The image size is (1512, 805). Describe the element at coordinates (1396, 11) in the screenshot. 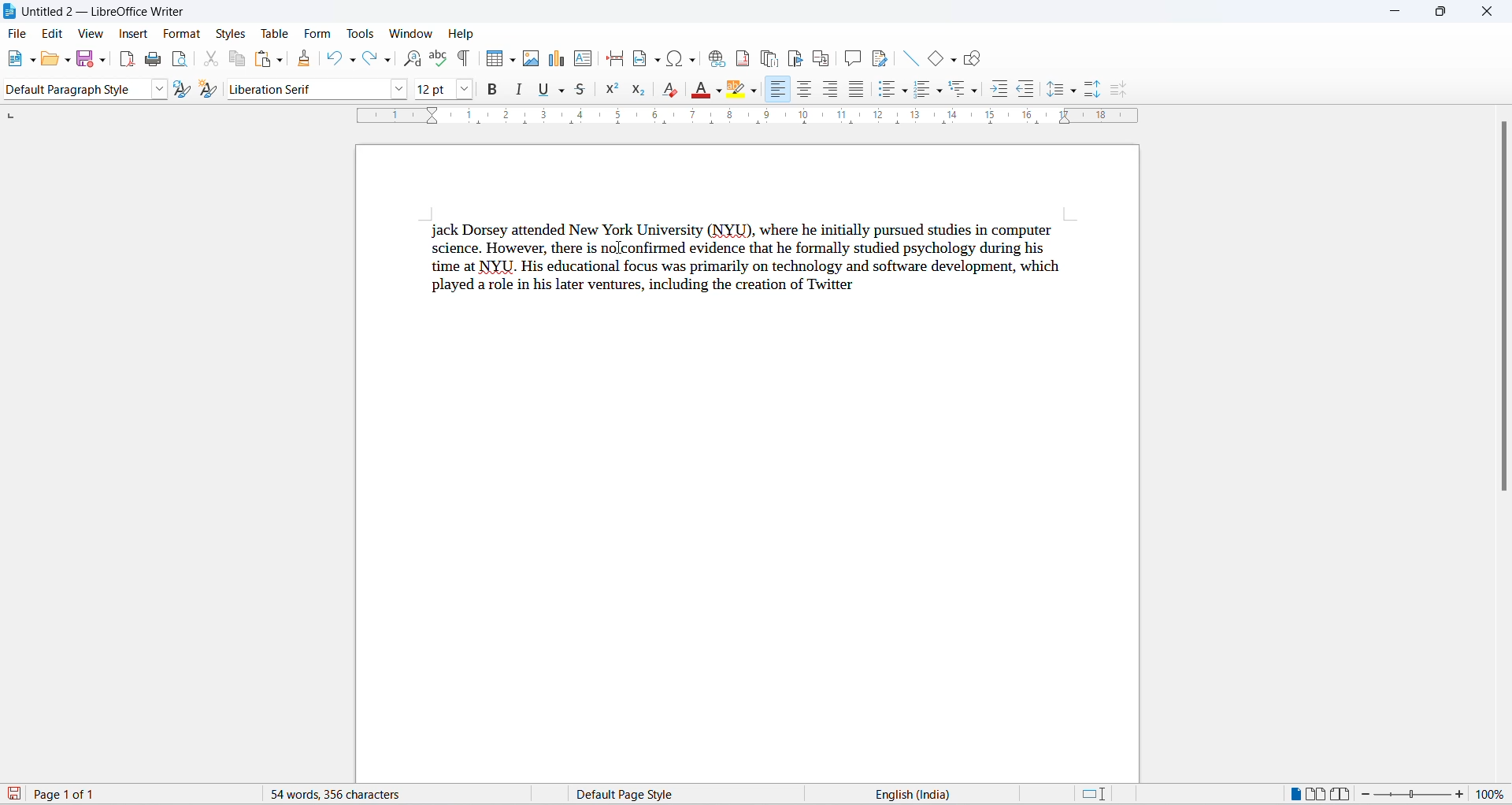

I see `minimize` at that location.